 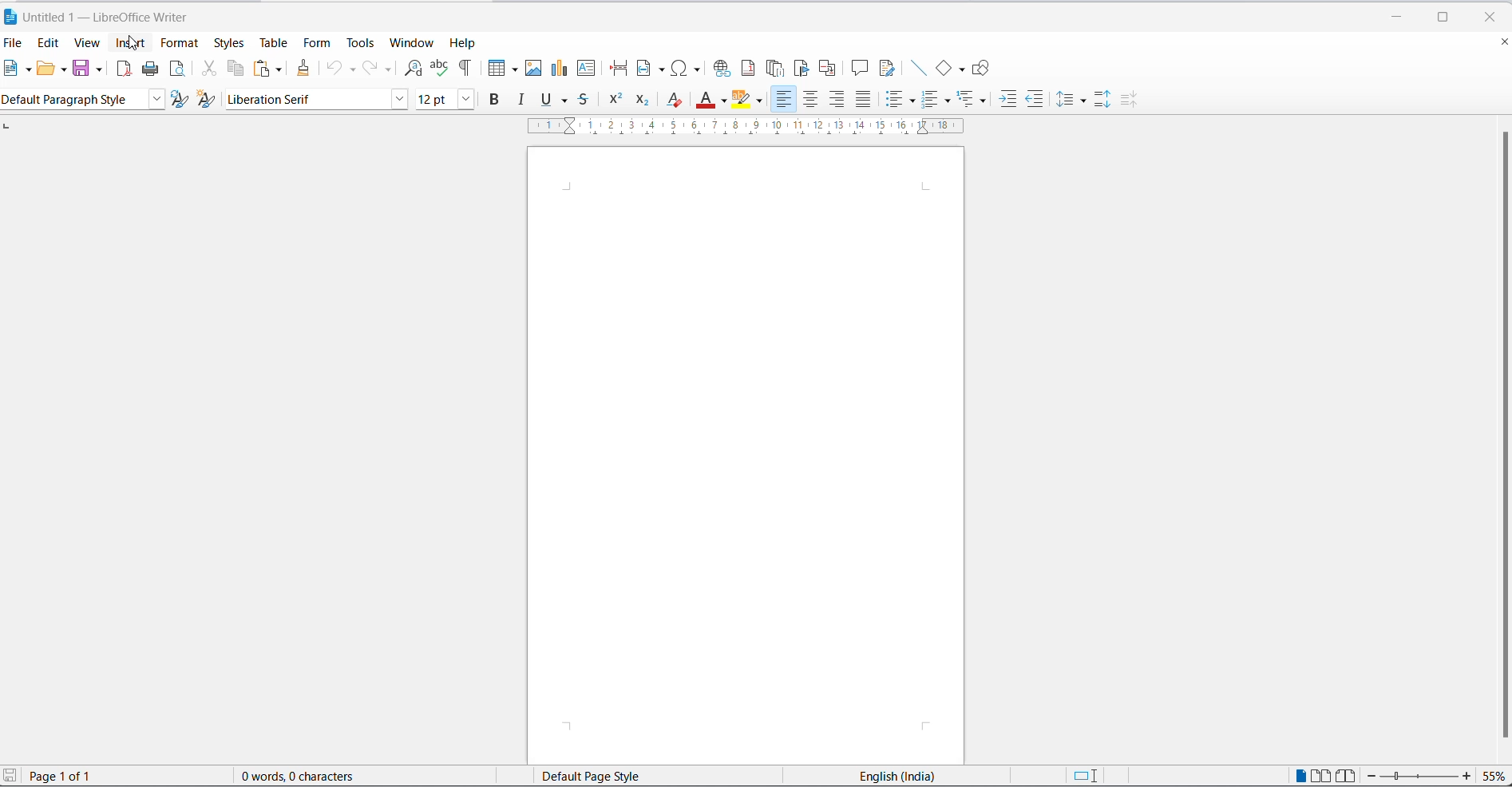 What do you see at coordinates (836, 99) in the screenshot?
I see `text align left` at bounding box center [836, 99].